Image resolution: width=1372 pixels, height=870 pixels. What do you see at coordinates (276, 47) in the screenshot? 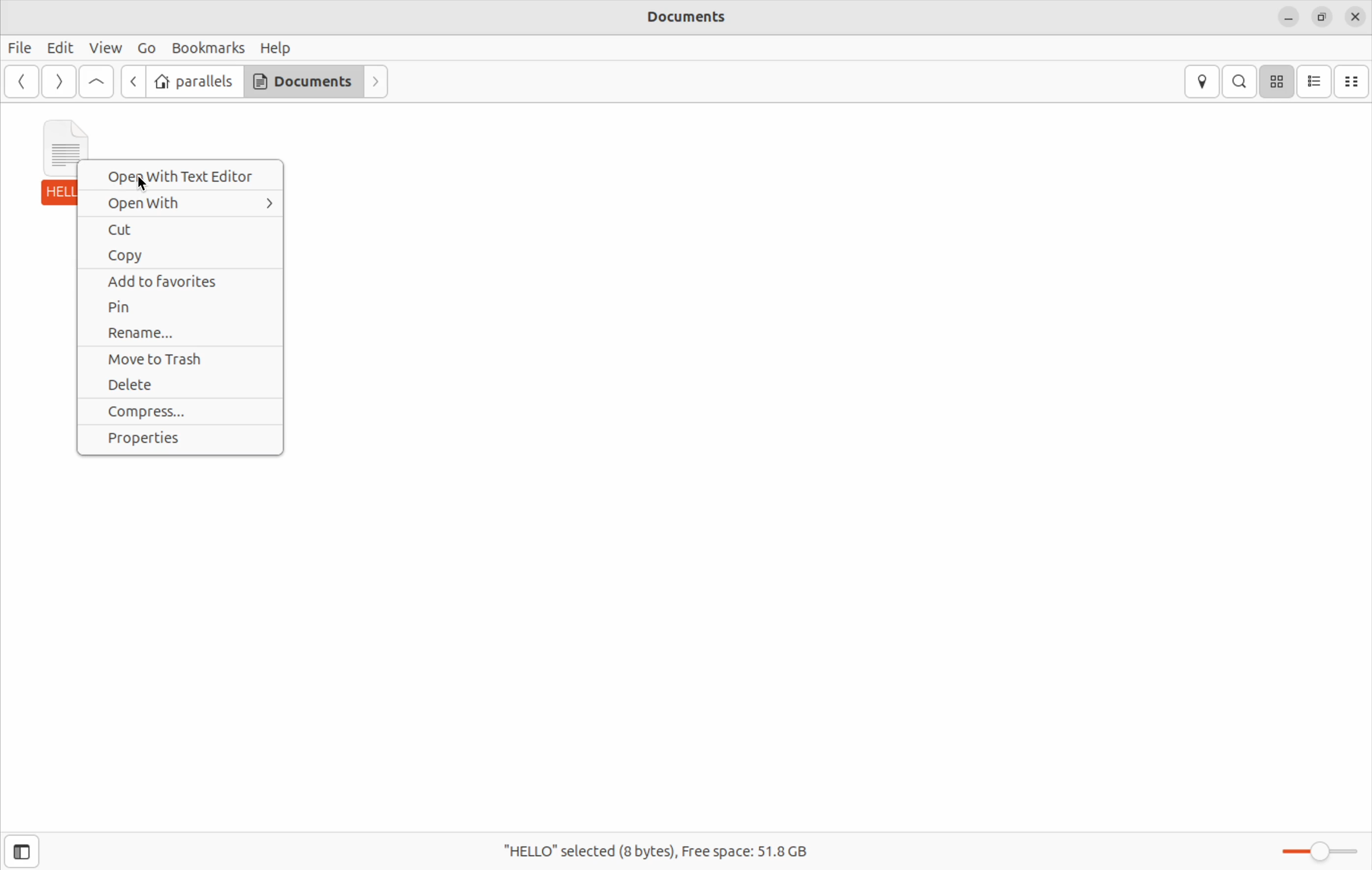
I see `Help` at bounding box center [276, 47].